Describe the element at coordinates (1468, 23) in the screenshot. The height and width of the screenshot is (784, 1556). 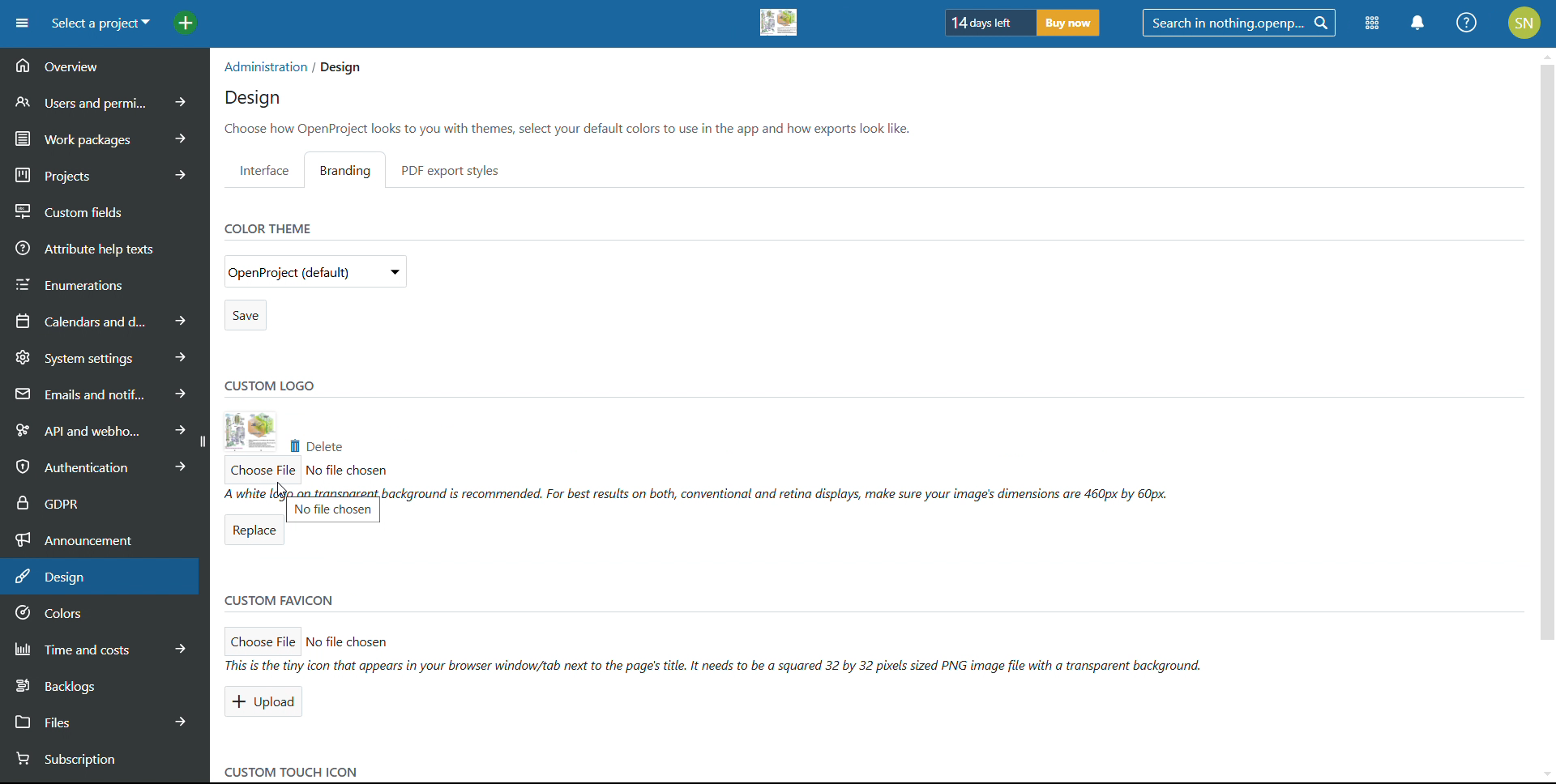
I see `help` at that location.